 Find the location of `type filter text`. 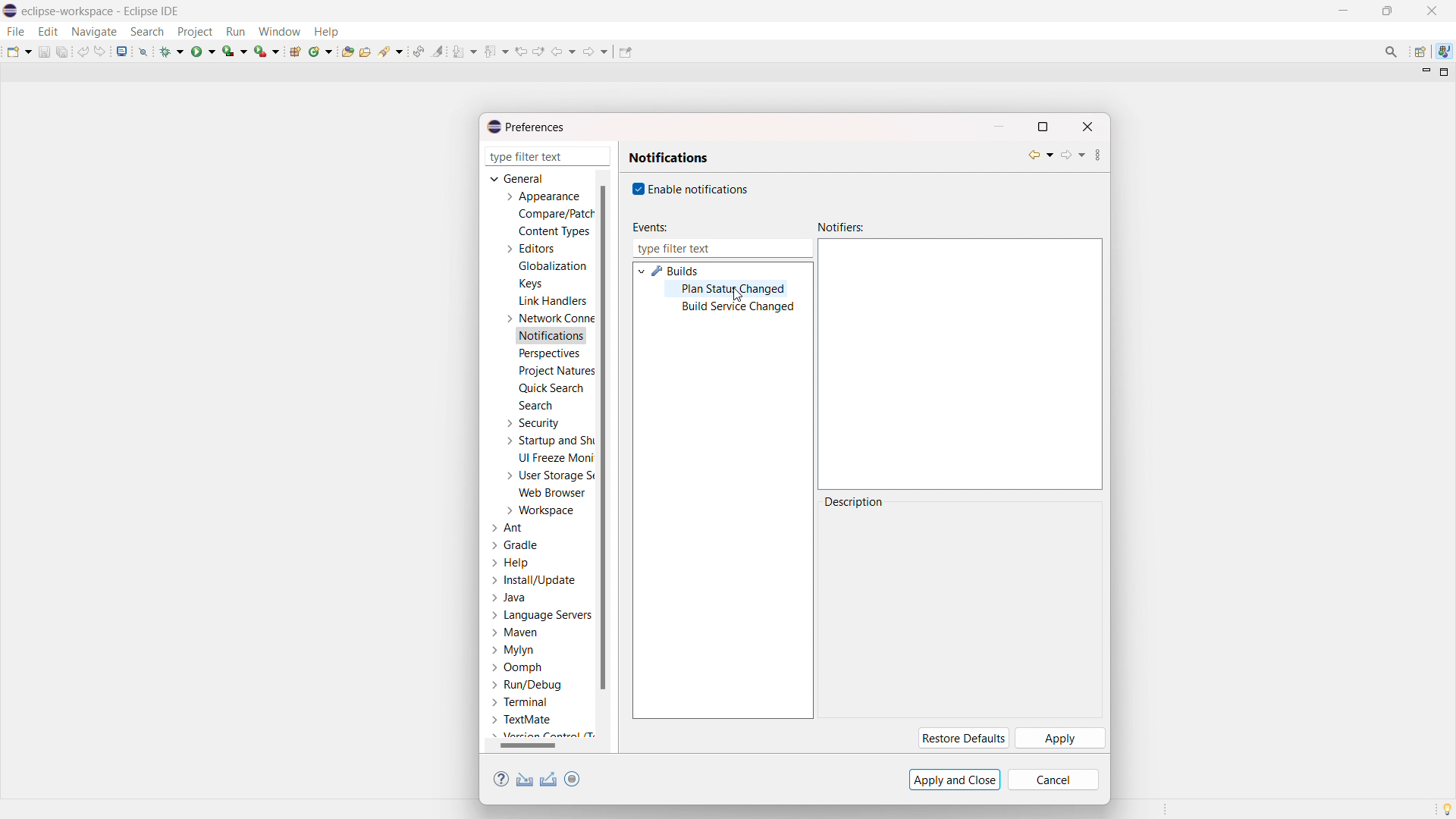

type filter text is located at coordinates (549, 156).